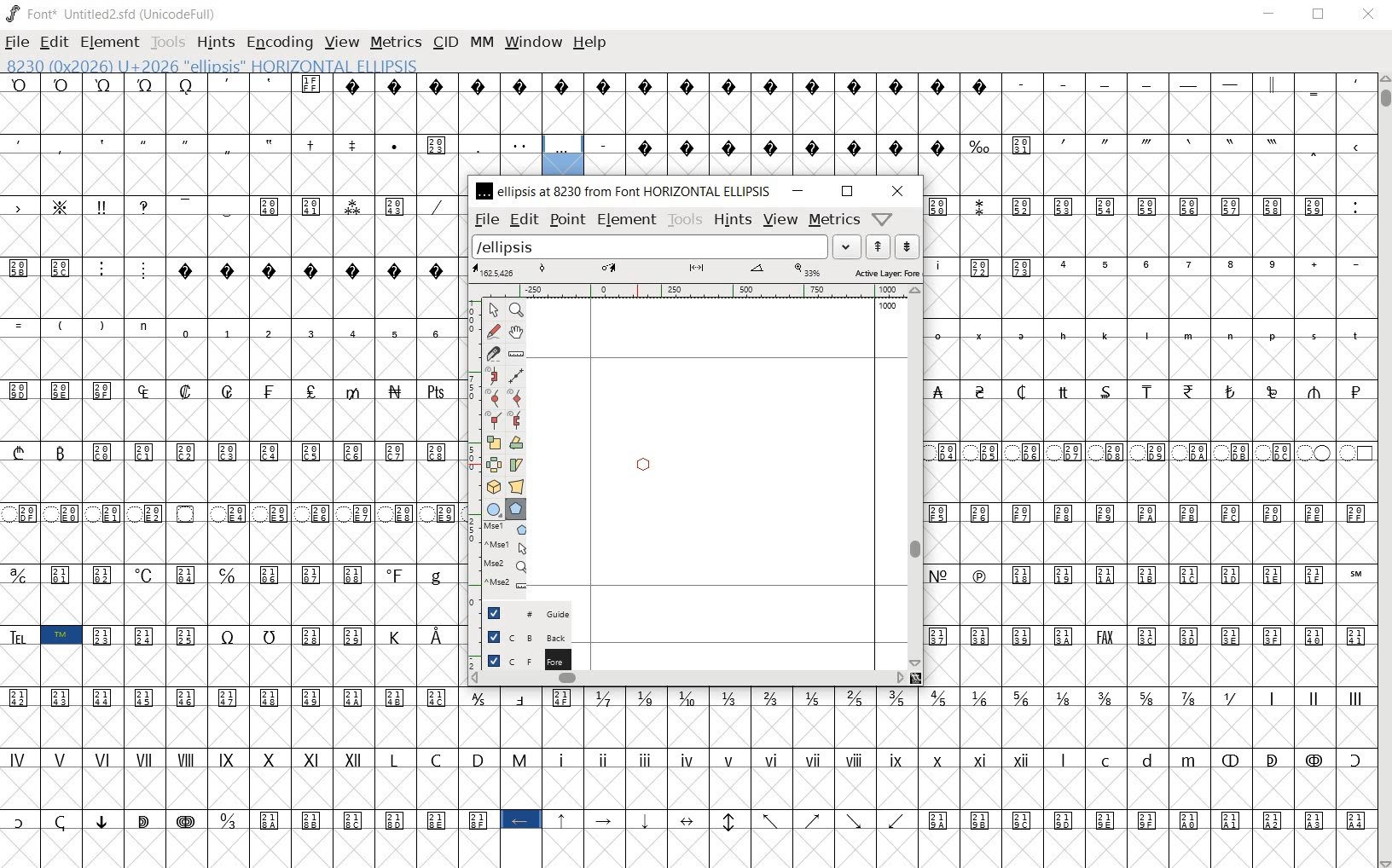 The width and height of the screenshot is (1392, 868). I want to click on Rotate the selection, so click(516, 443).